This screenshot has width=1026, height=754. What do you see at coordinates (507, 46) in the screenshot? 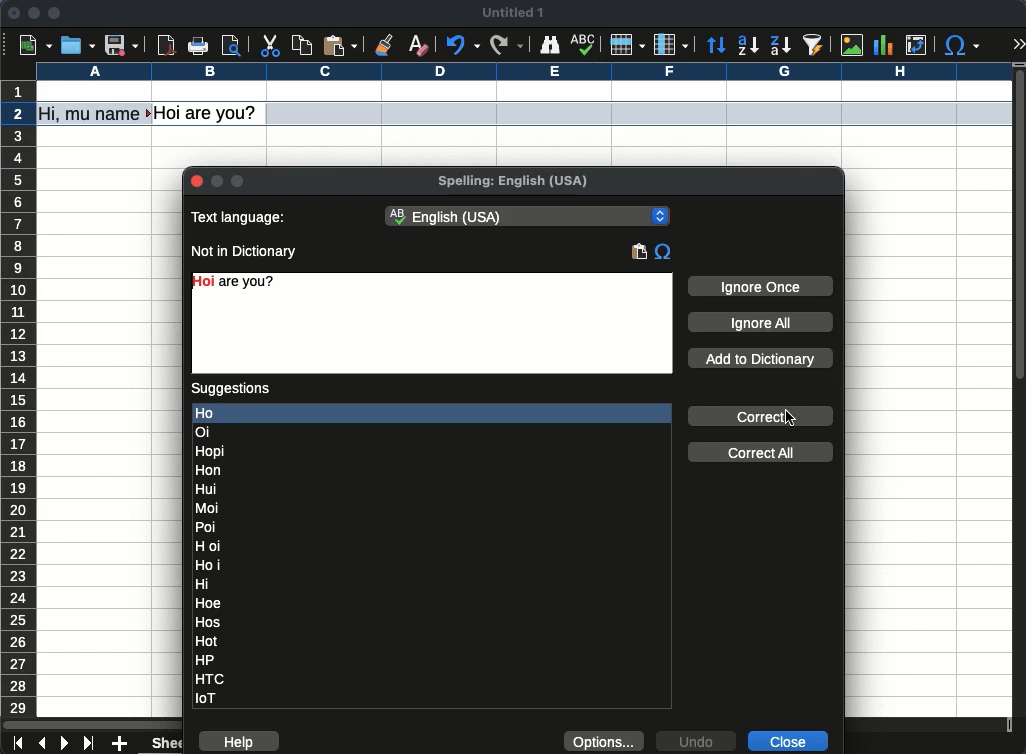
I see `redo` at bounding box center [507, 46].